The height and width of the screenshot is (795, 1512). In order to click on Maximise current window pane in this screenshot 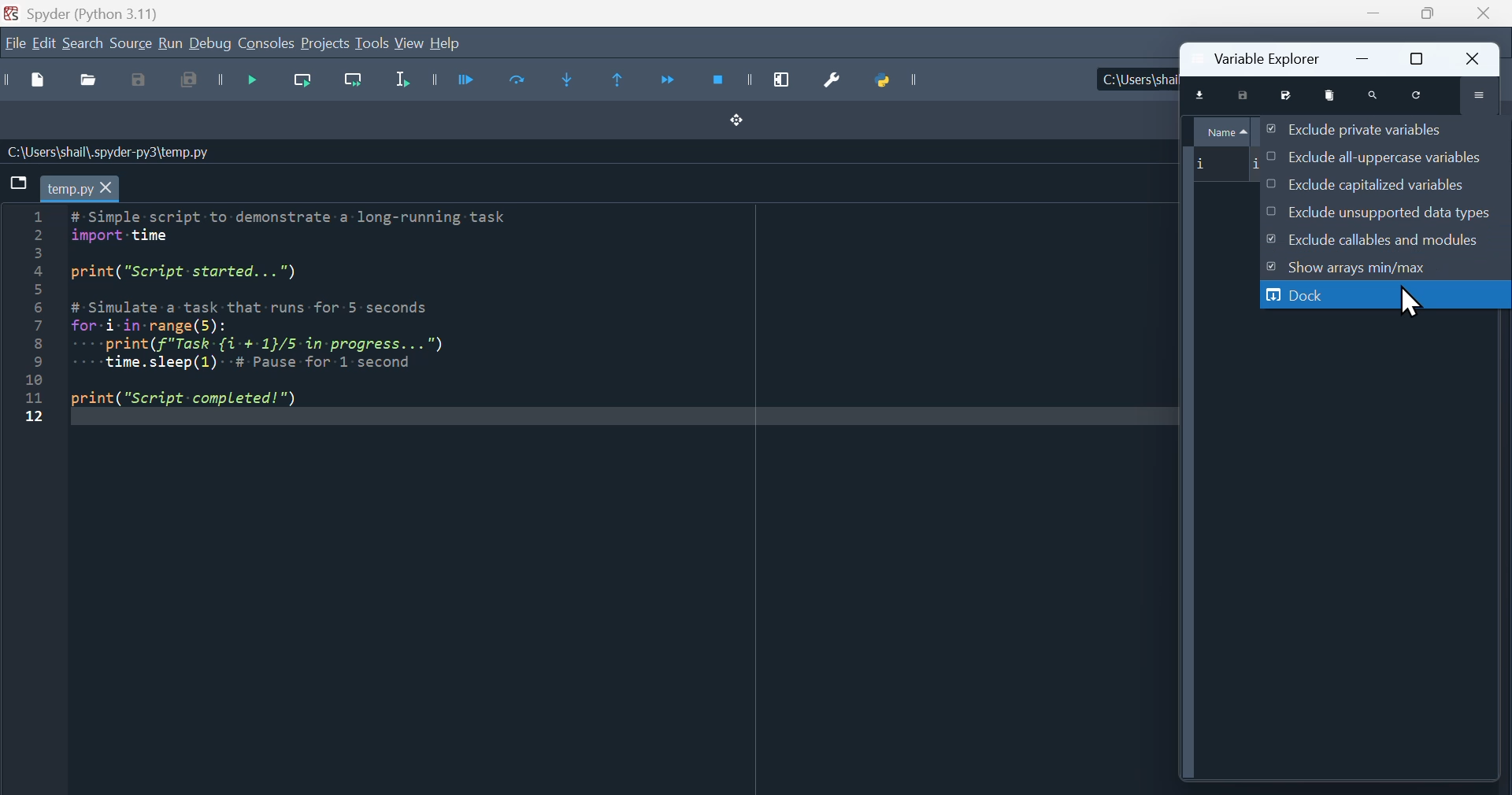, I will do `click(787, 79)`.